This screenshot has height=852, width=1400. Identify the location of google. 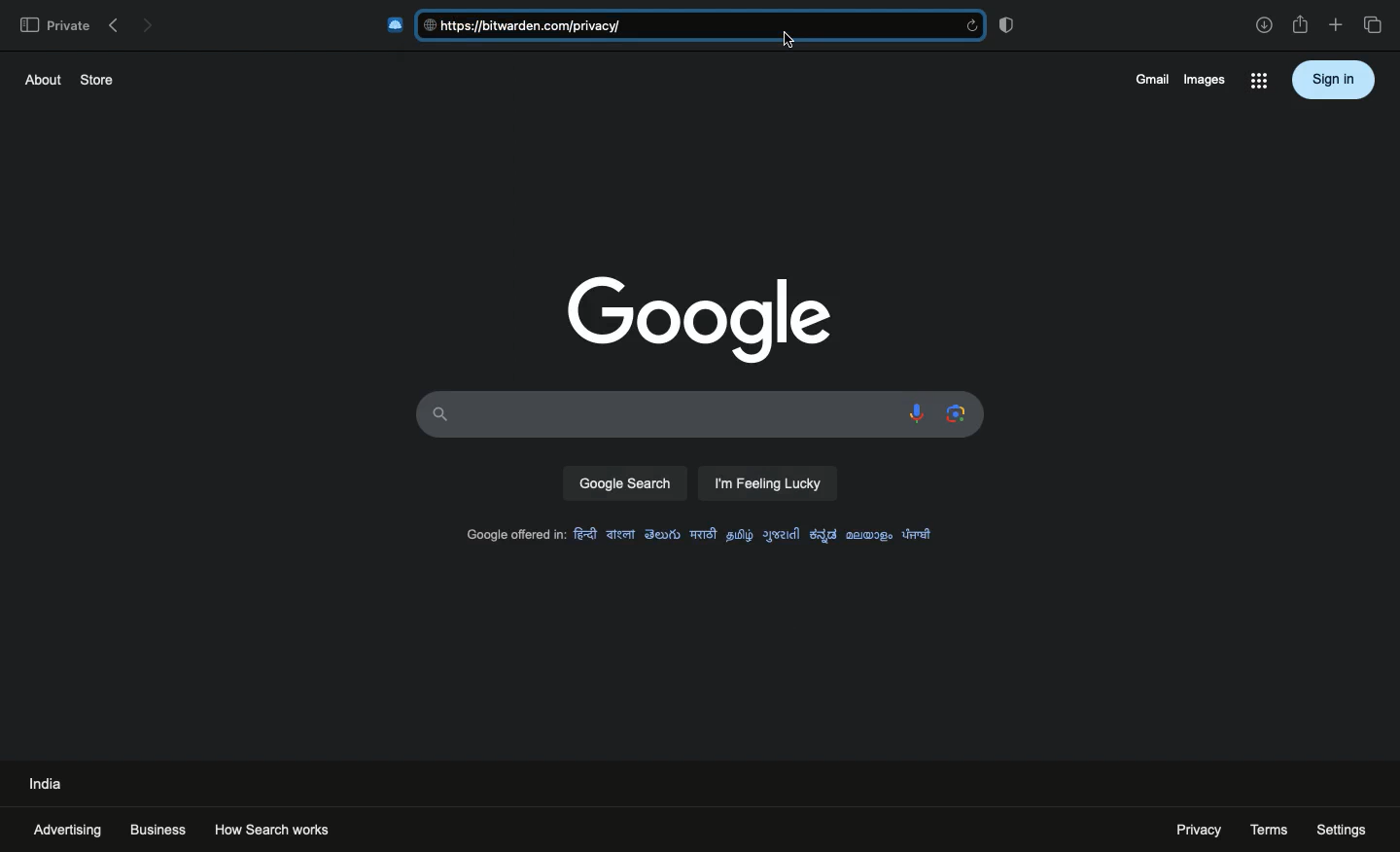
(693, 317).